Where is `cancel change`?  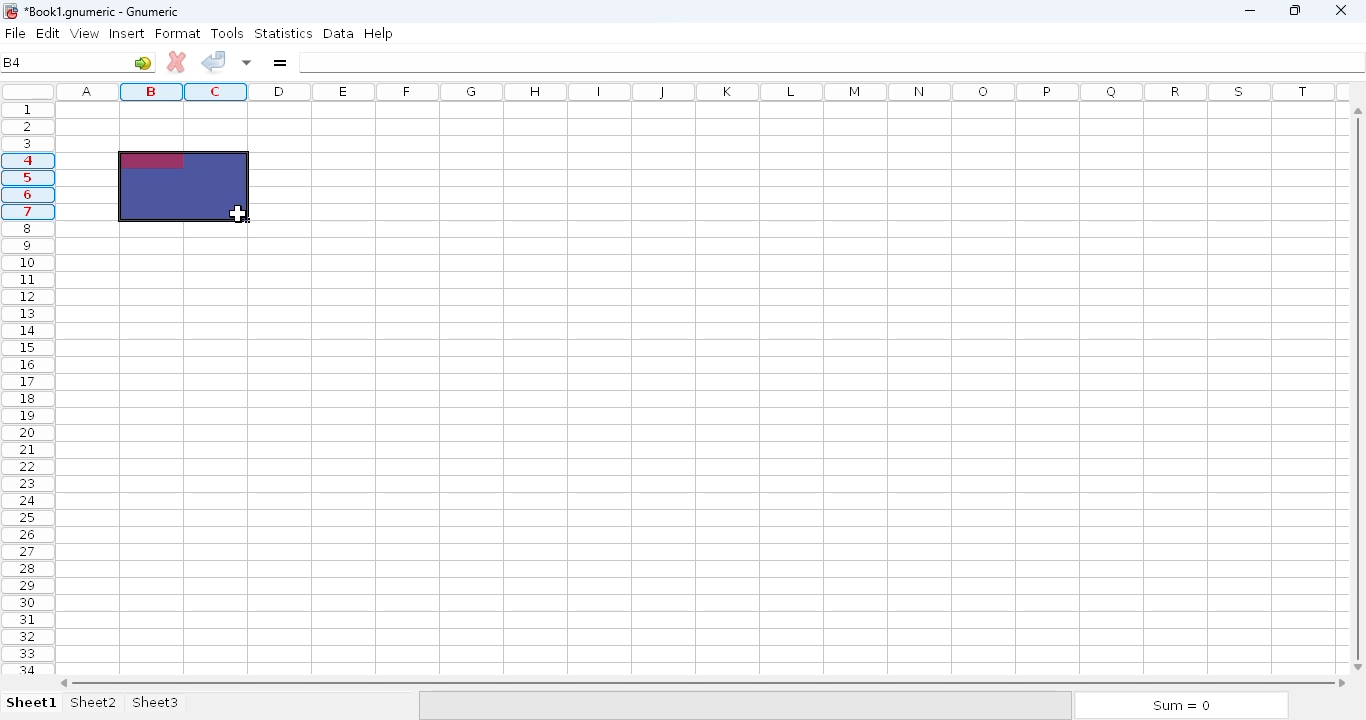 cancel change is located at coordinates (176, 62).